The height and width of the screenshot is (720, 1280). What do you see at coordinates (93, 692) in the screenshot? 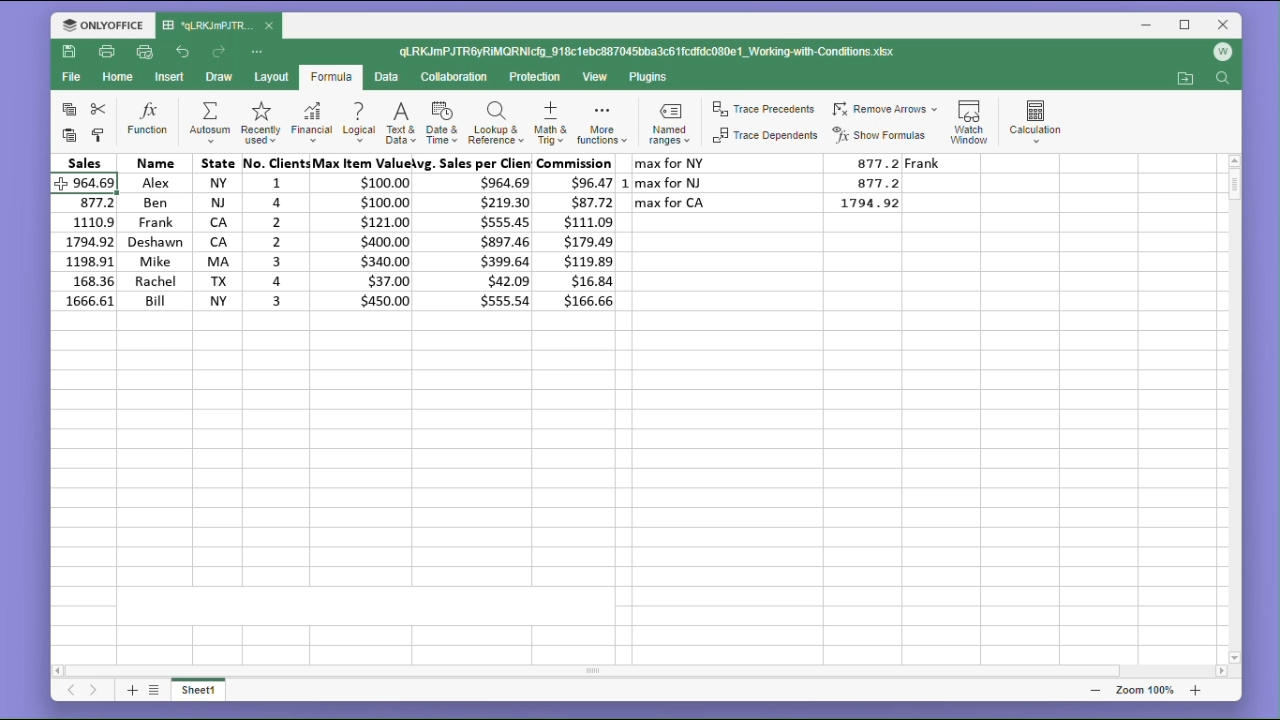
I see `next sheet` at bounding box center [93, 692].